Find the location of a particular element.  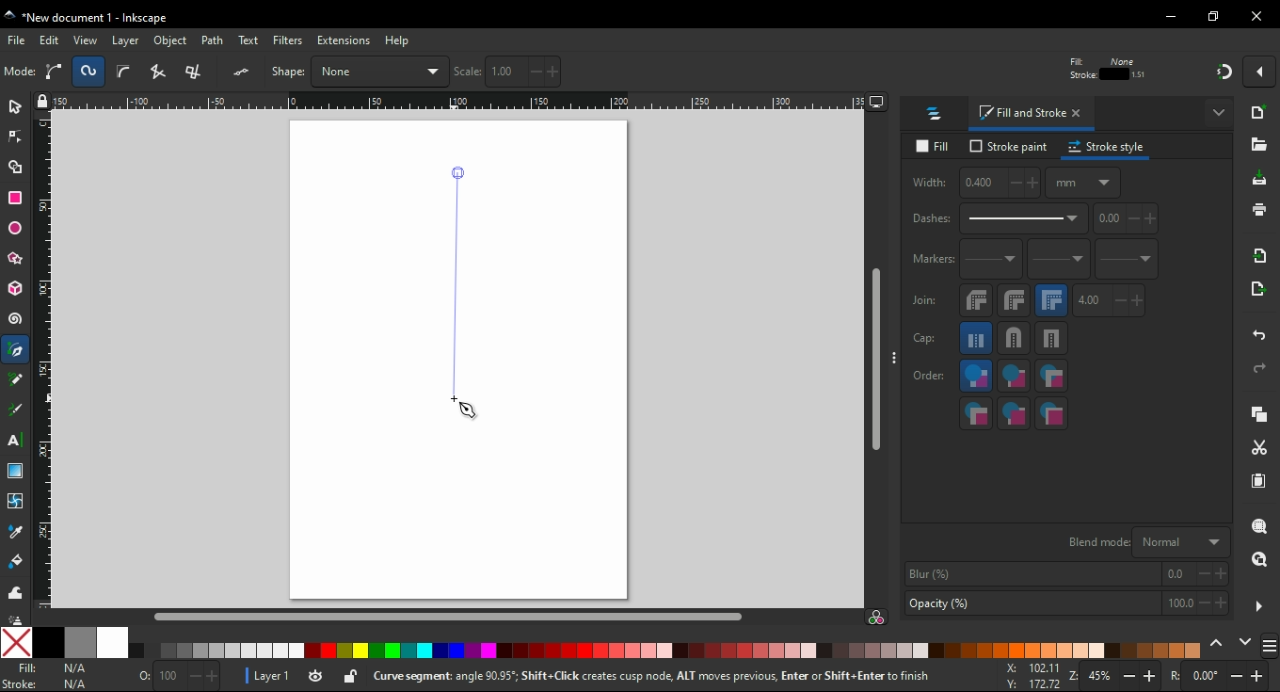

open file dialogue is located at coordinates (1259, 148).